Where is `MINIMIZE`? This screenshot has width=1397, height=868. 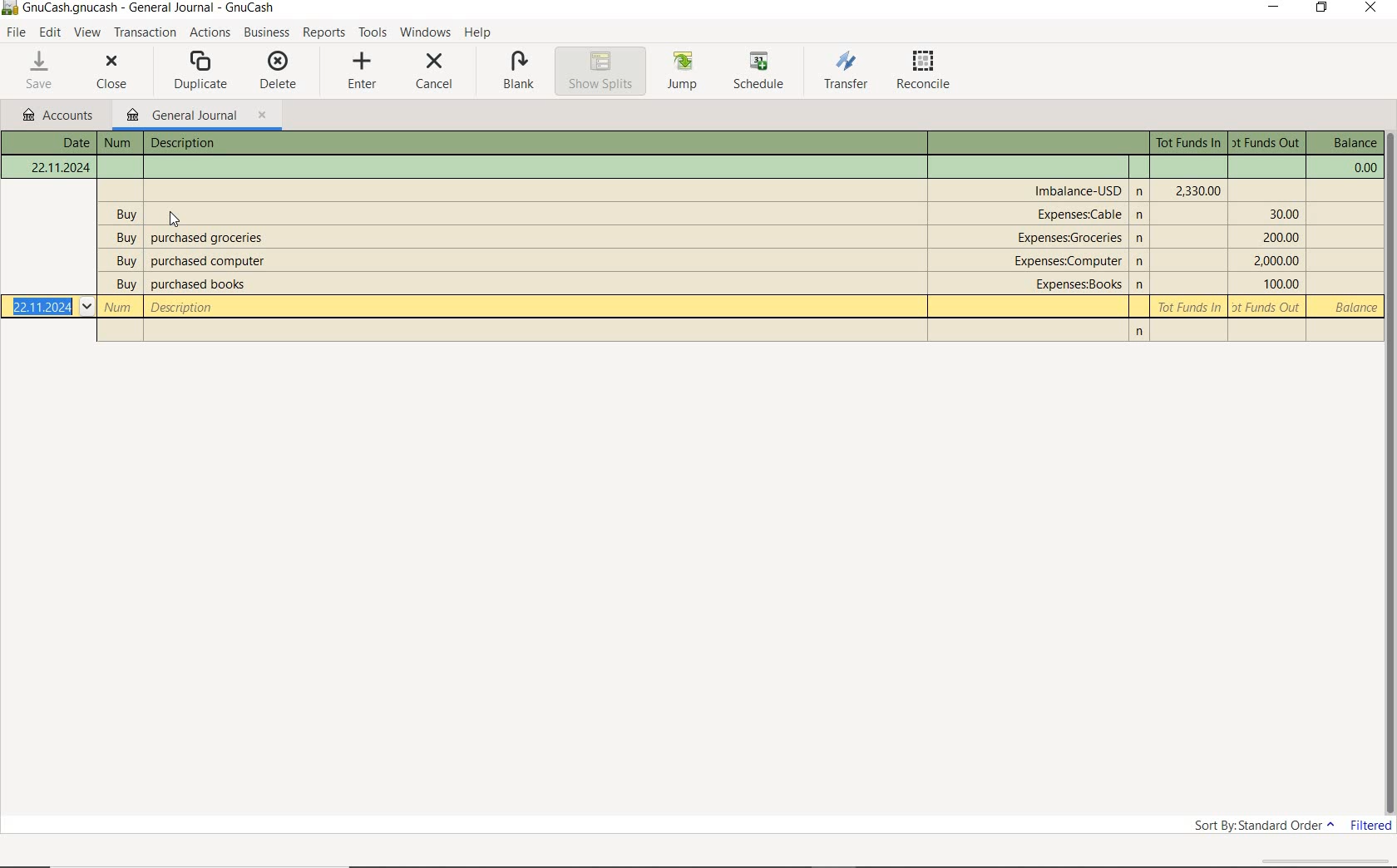
MINIMIZE is located at coordinates (1273, 7).